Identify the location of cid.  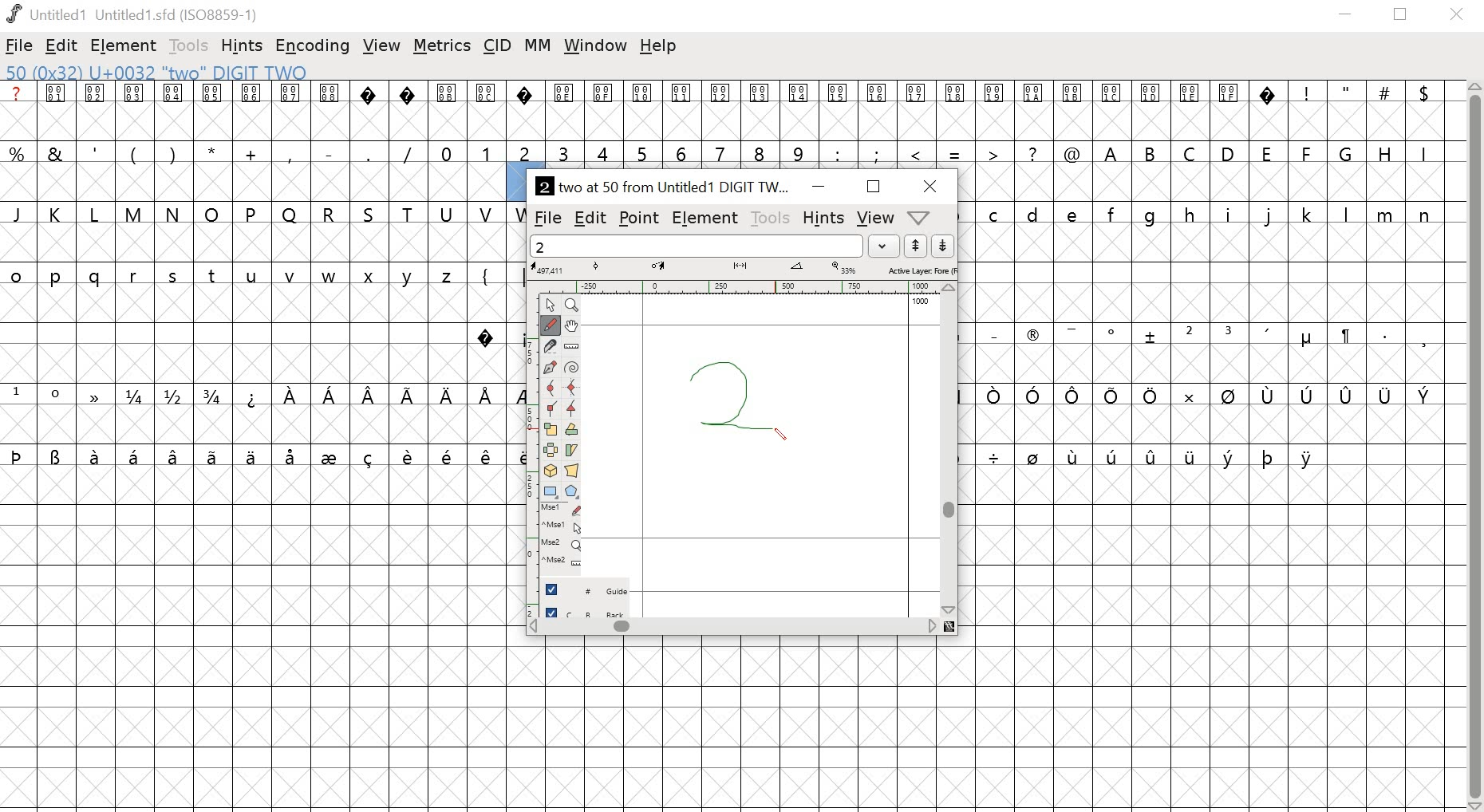
(496, 45).